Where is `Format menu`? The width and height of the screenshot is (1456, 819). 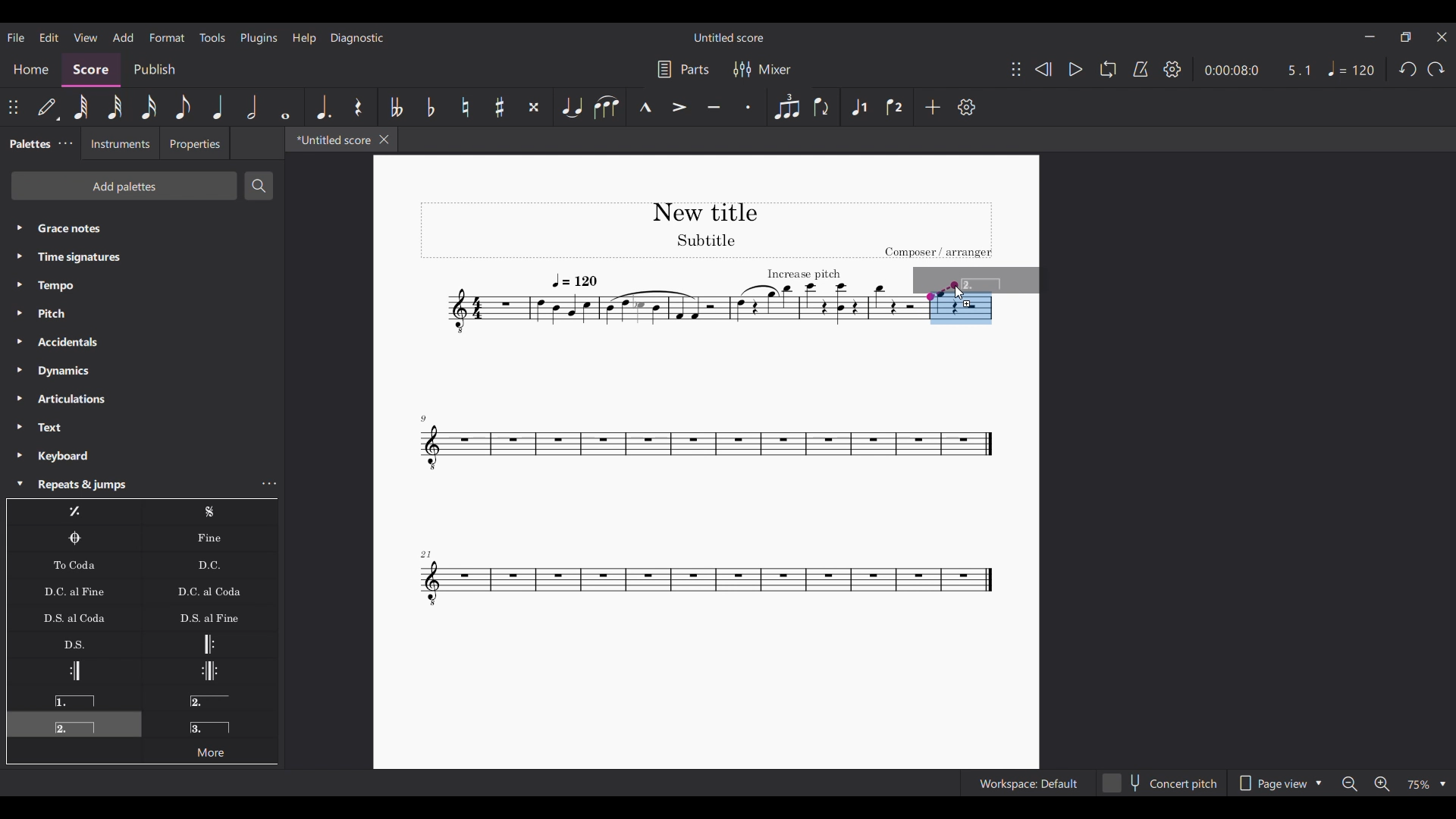
Format menu is located at coordinates (167, 38).